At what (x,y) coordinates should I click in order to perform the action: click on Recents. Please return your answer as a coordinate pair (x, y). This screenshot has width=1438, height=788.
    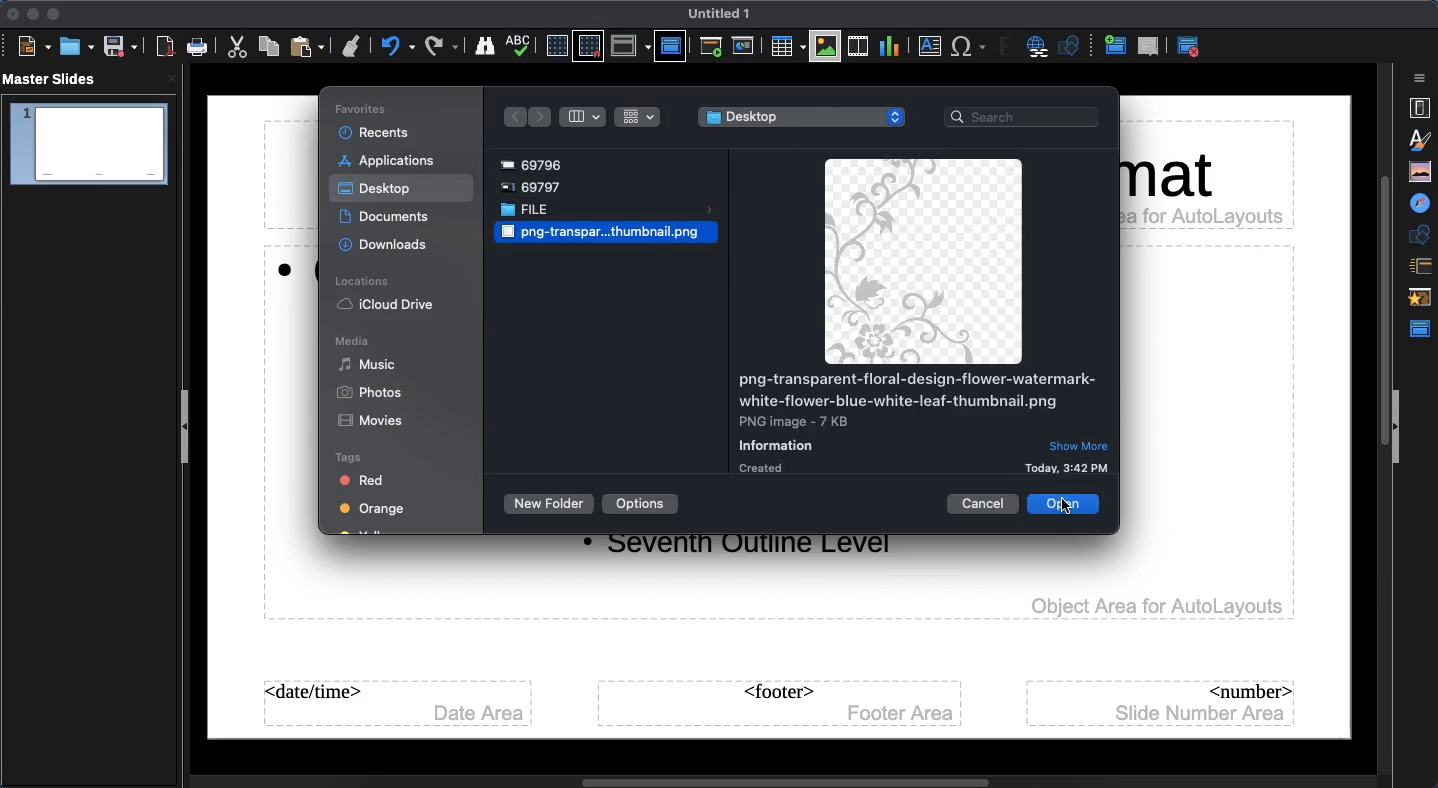
    Looking at the image, I should click on (378, 134).